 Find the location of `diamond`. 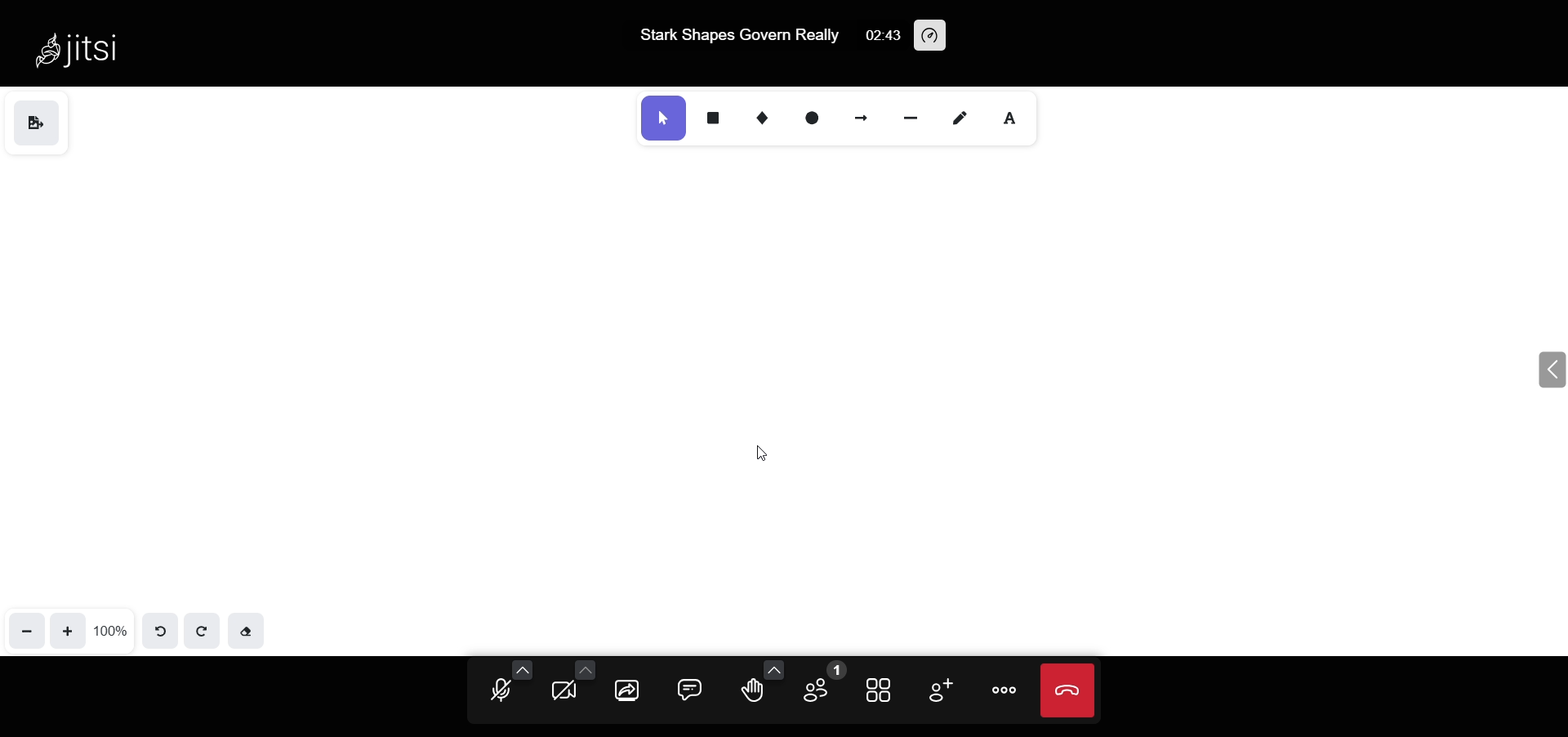

diamond is located at coordinates (759, 118).